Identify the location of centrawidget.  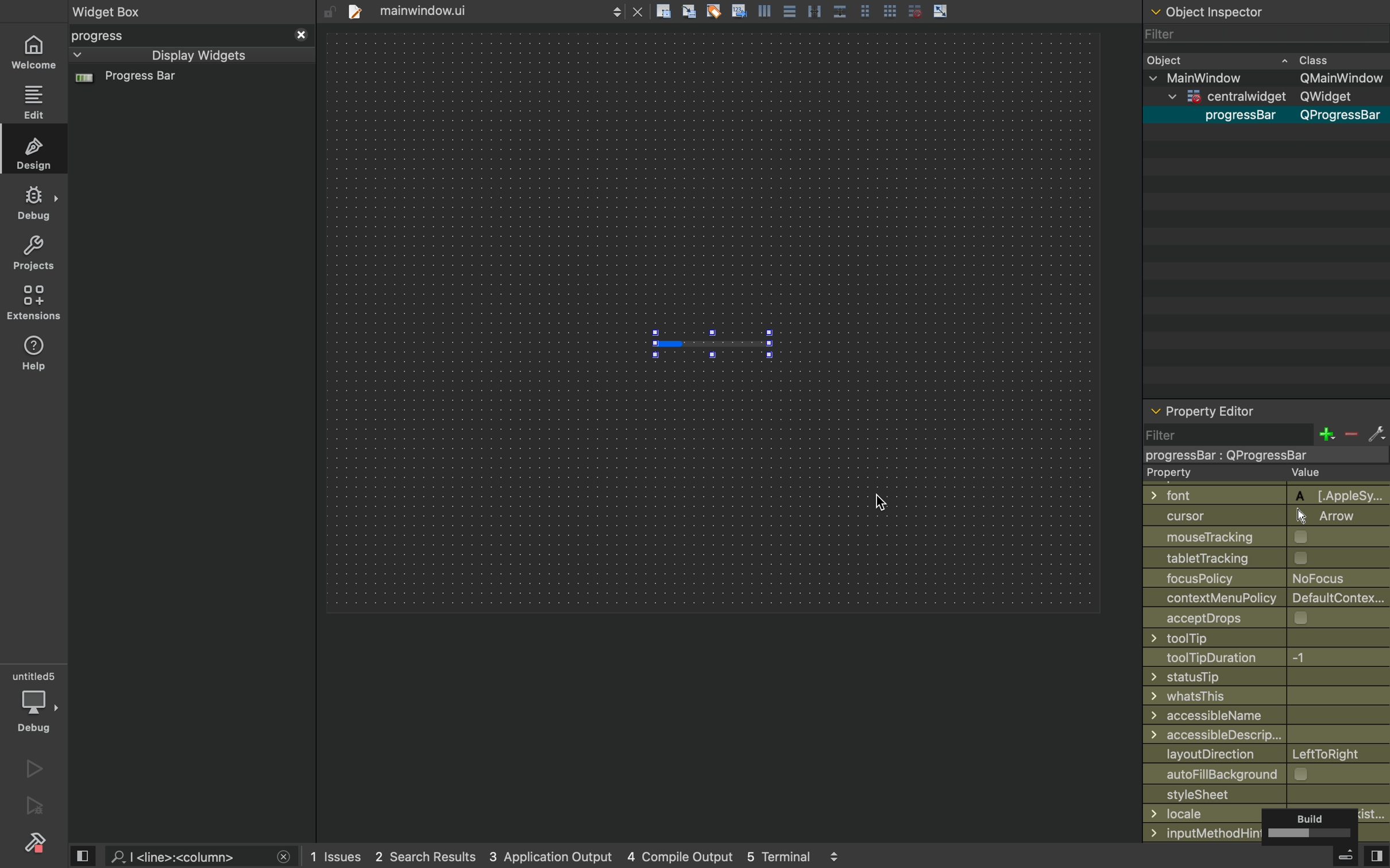
(1260, 455).